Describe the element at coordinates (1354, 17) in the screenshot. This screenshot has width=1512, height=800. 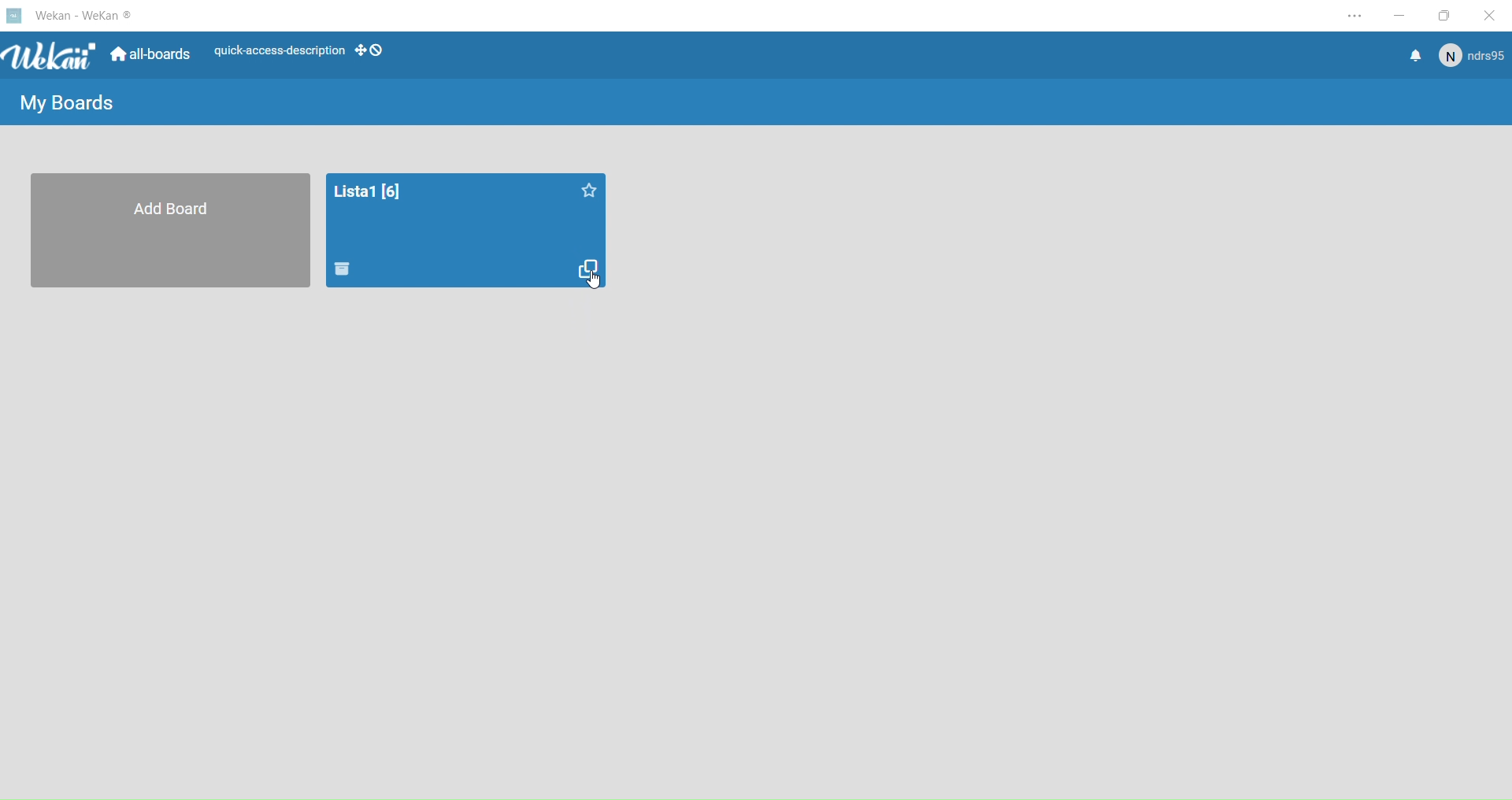
I see `Settings and more` at that location.